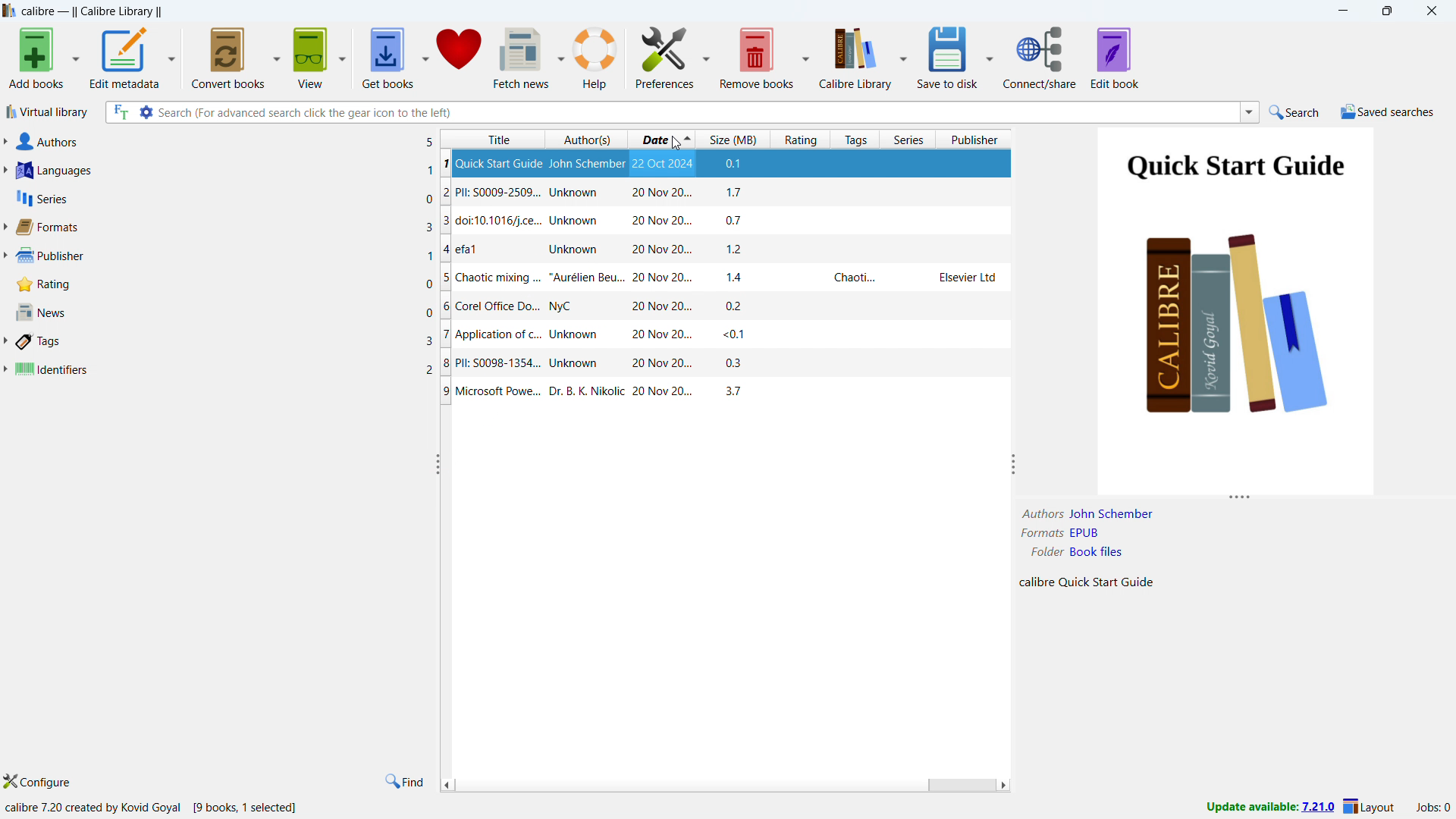 The height and width of the screenshot is (819, 1456). What do you see at coordinates (1039, 534) in the screenshot?
I see `Formats` at bounding box center [1039, 534].